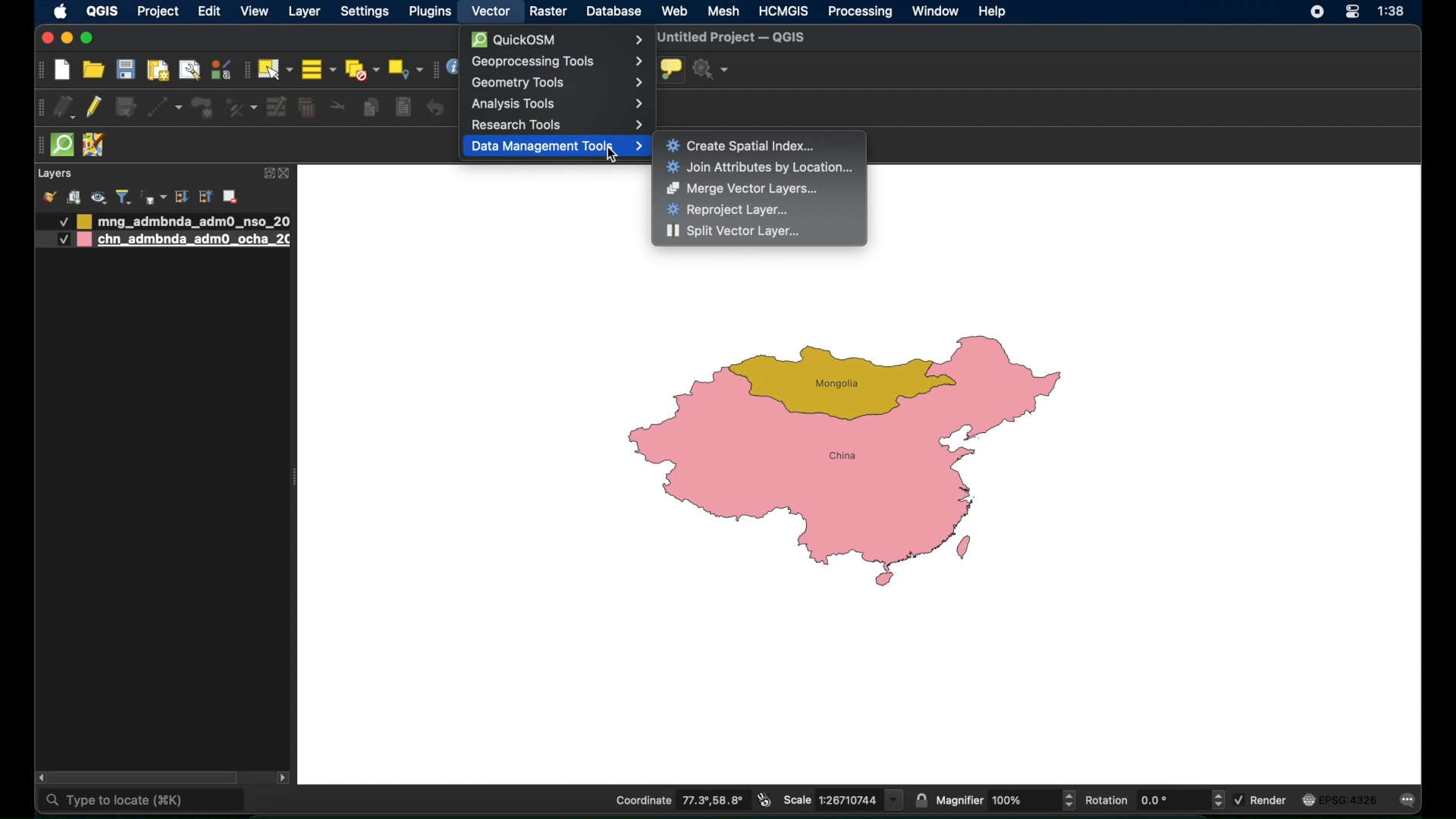 The image size is (1456, 819). I want to click on scroll right arrow, so click(287, 777).